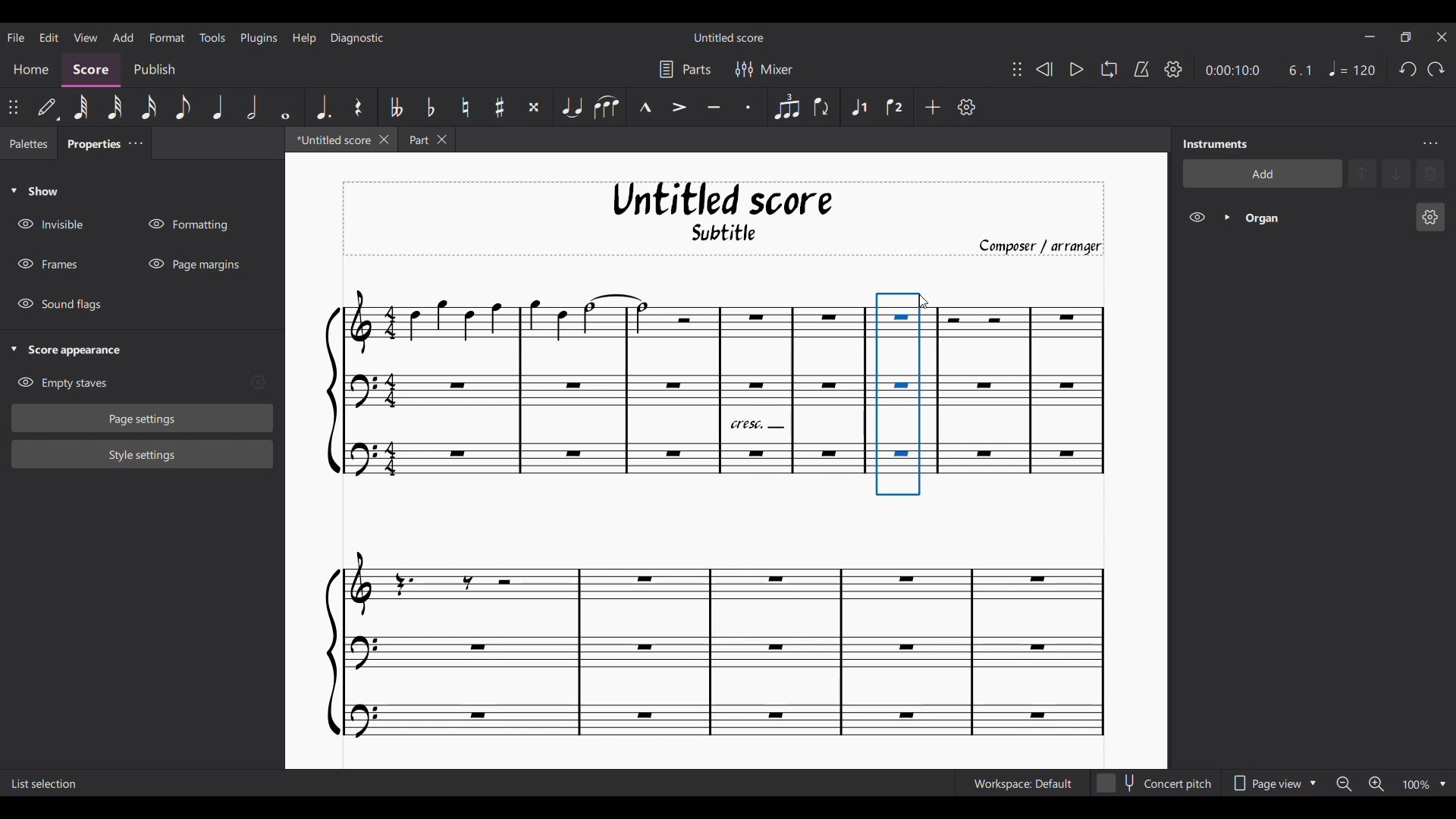  What do you see at coordinates (1077, 70) in the screenshot?
I see `Play` at bounding box center [1077, 70].